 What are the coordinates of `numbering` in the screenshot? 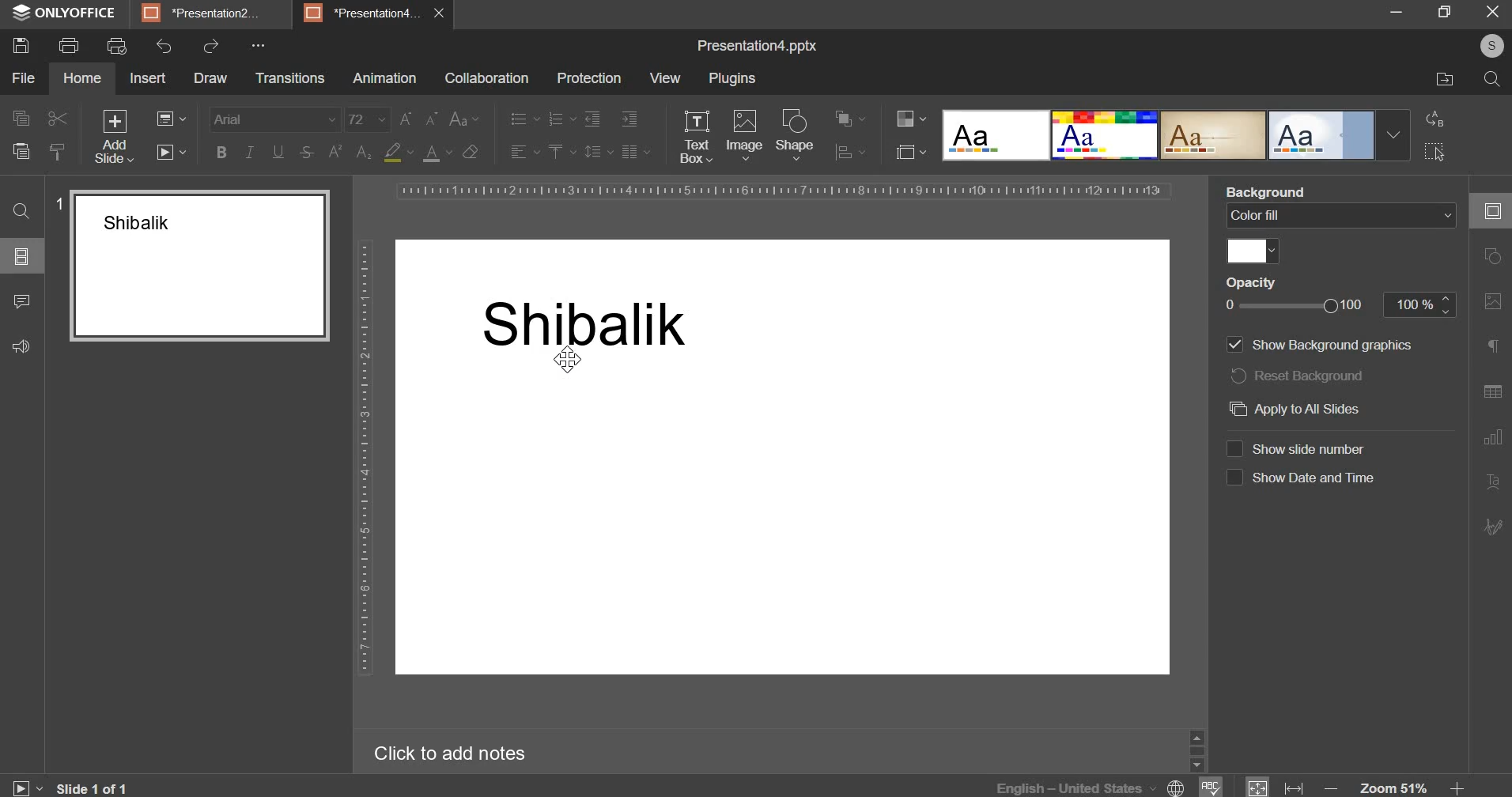 It's located at (561, 119).